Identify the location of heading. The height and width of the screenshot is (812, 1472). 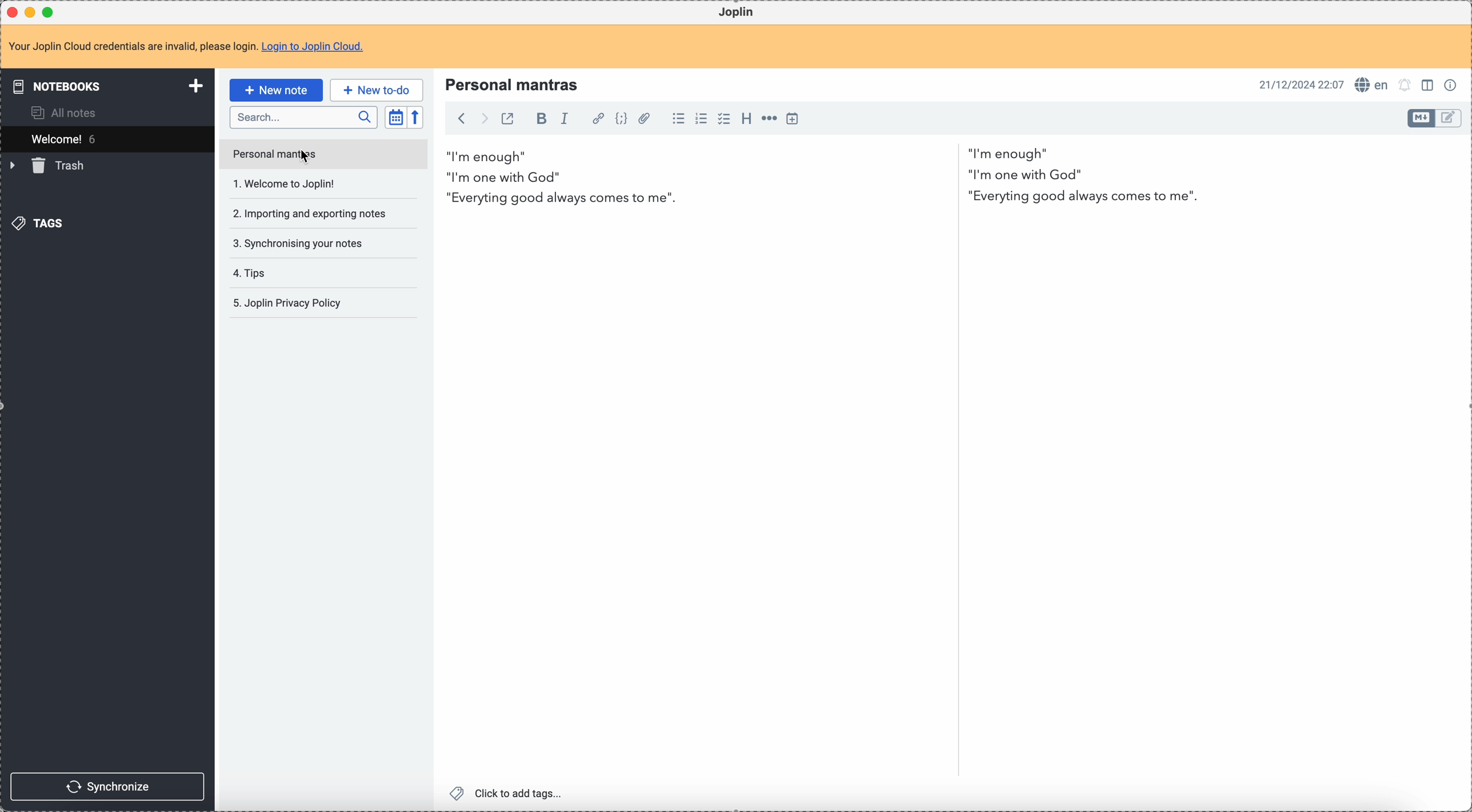
(747, 118).